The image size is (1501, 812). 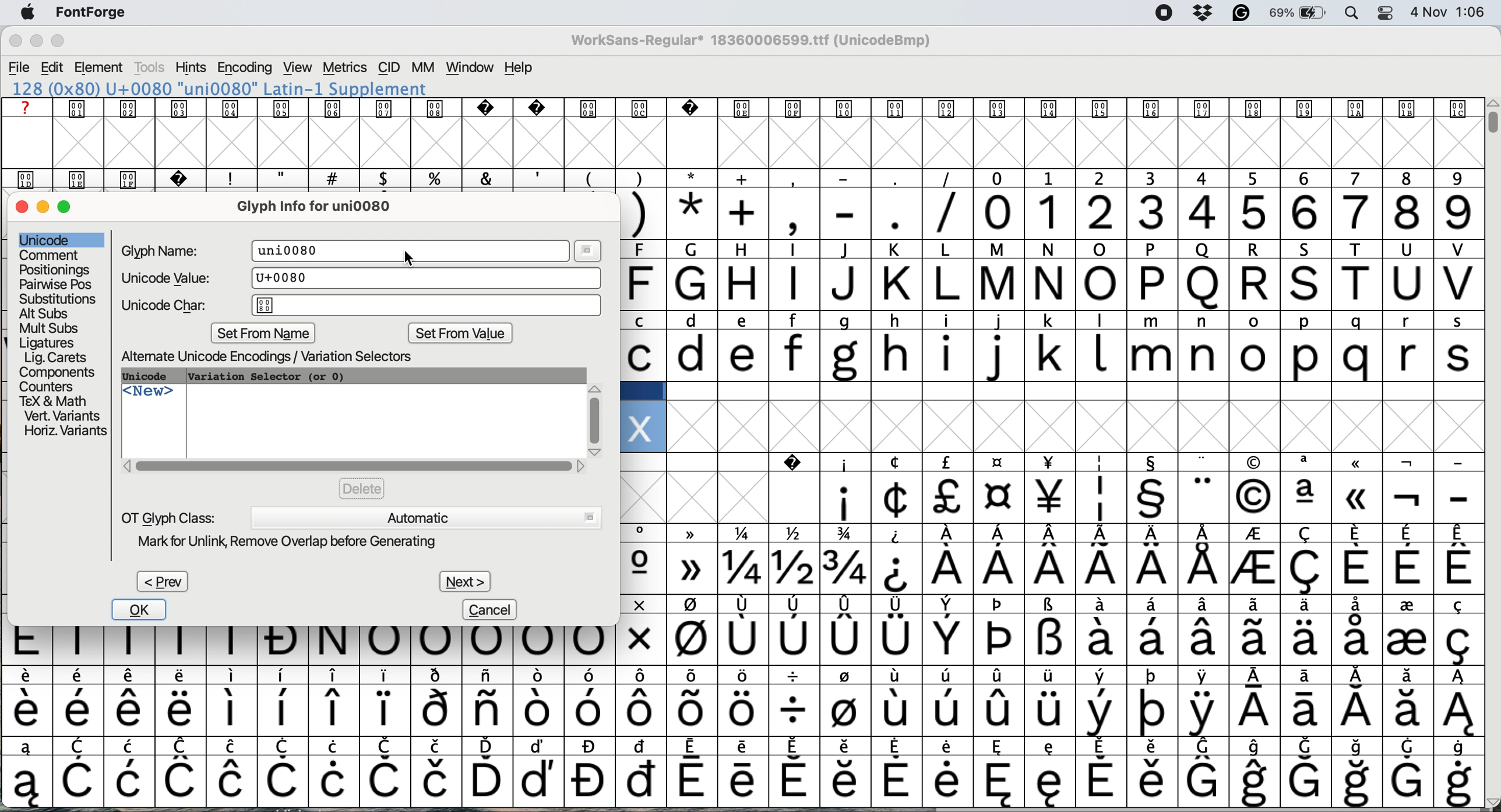 I want to click on cancel, so click(x=492, y=609).